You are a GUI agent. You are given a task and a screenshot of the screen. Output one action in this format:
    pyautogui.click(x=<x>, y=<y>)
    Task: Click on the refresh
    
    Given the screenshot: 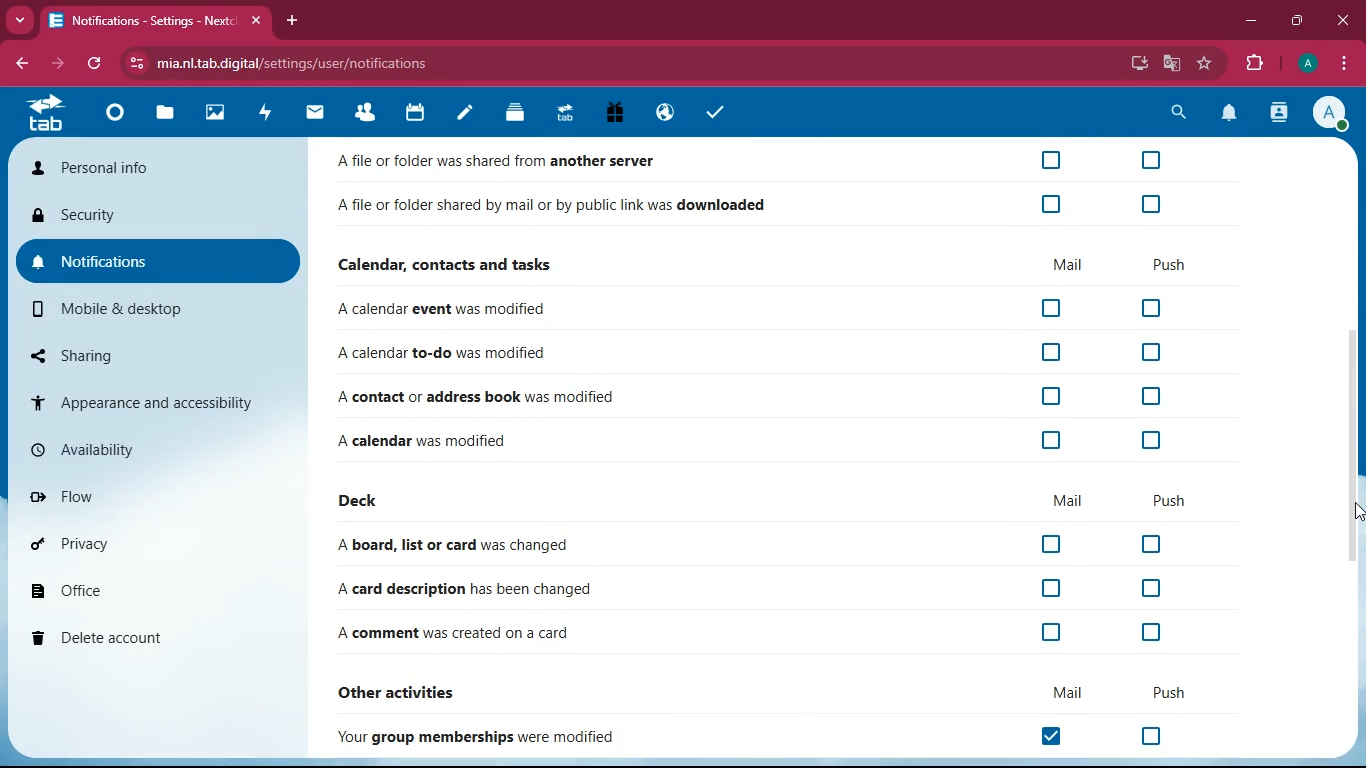 What is the action you would take?
    pyautogui.click(x=95, y=65)
    